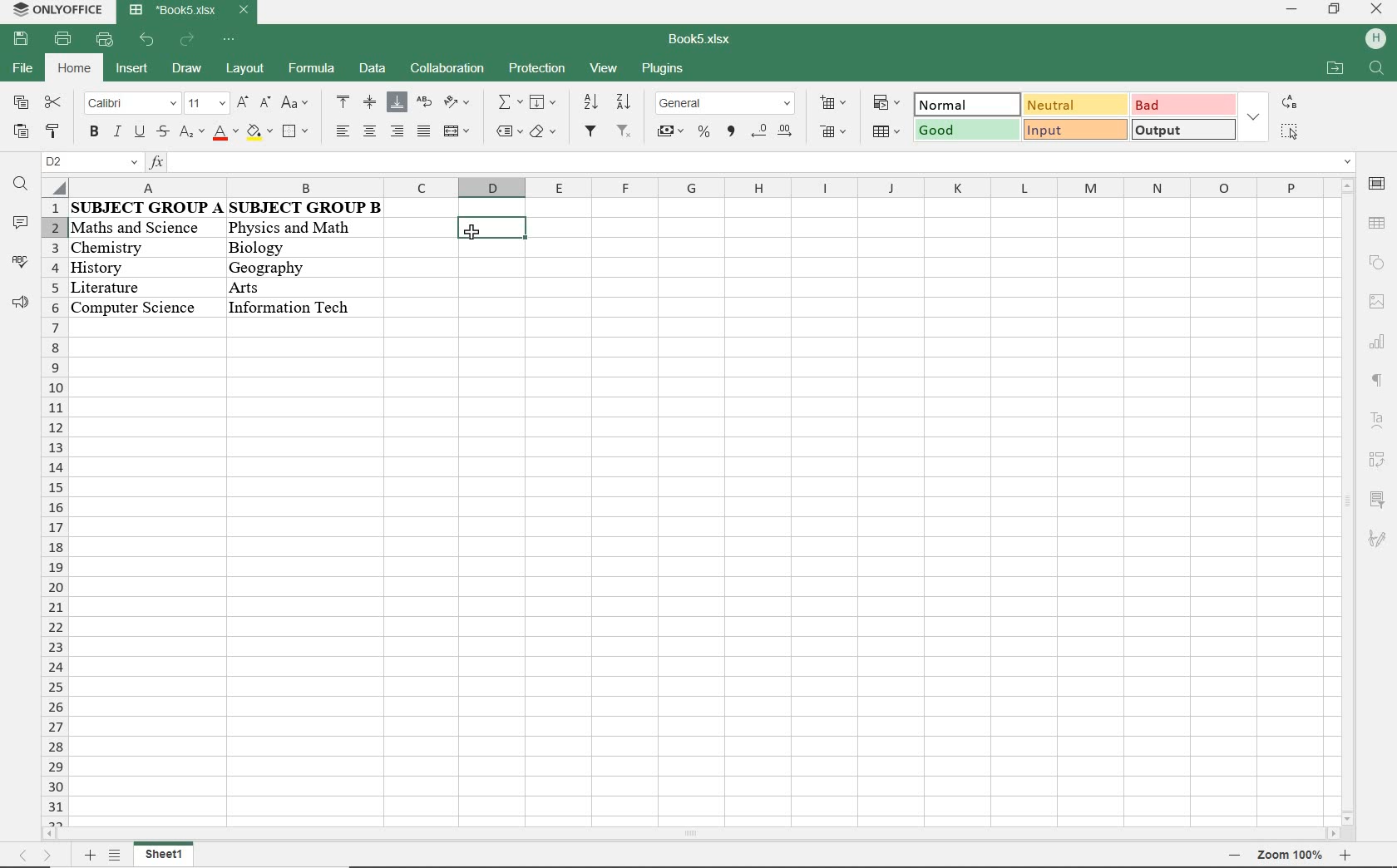 This screenshot has width=1397, height=868. Describe the element at coordinates (422, 132) in the screenshot. I see `justified` at that location.